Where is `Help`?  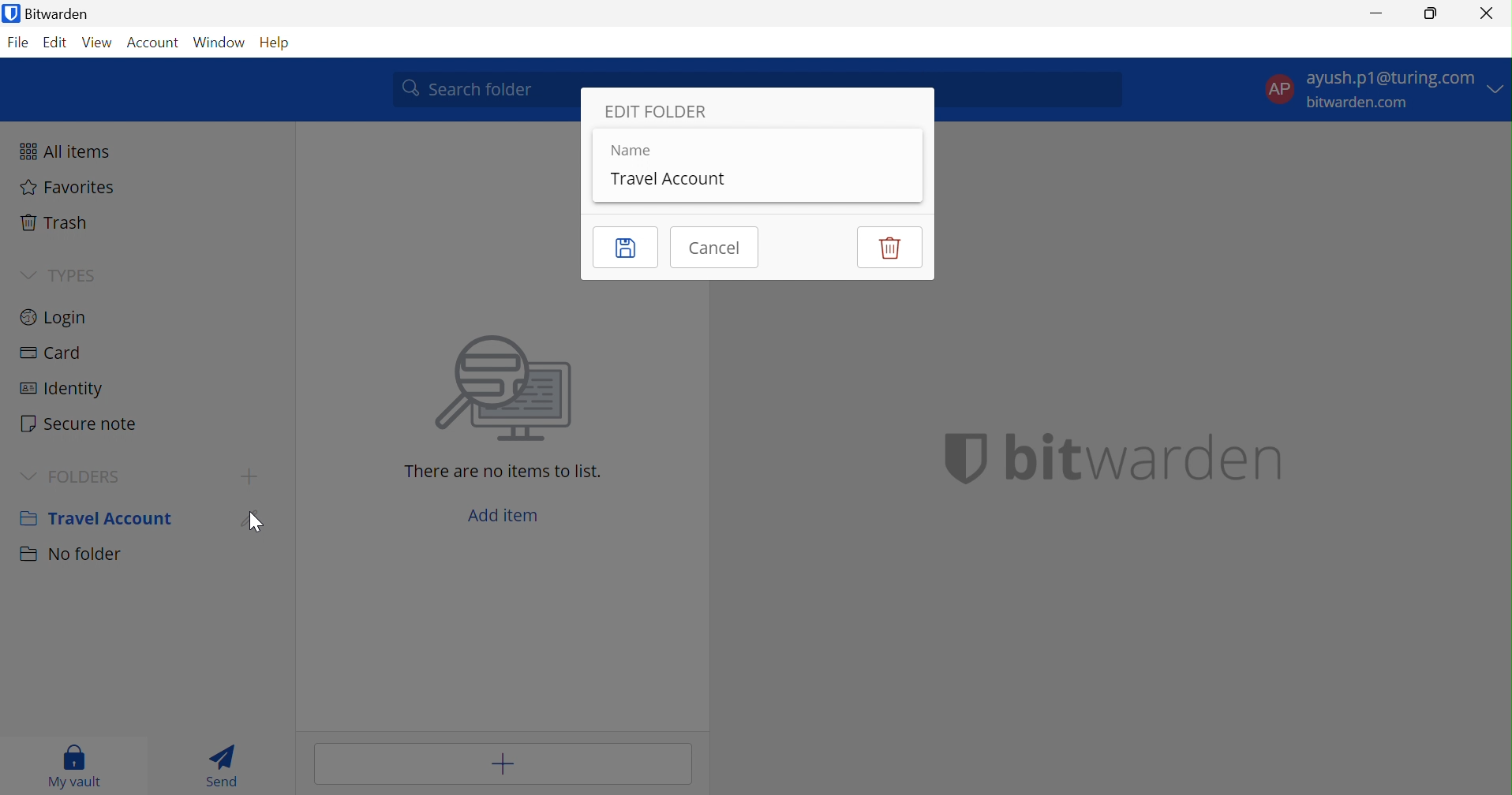
Help is located at coordinates (271, 43).